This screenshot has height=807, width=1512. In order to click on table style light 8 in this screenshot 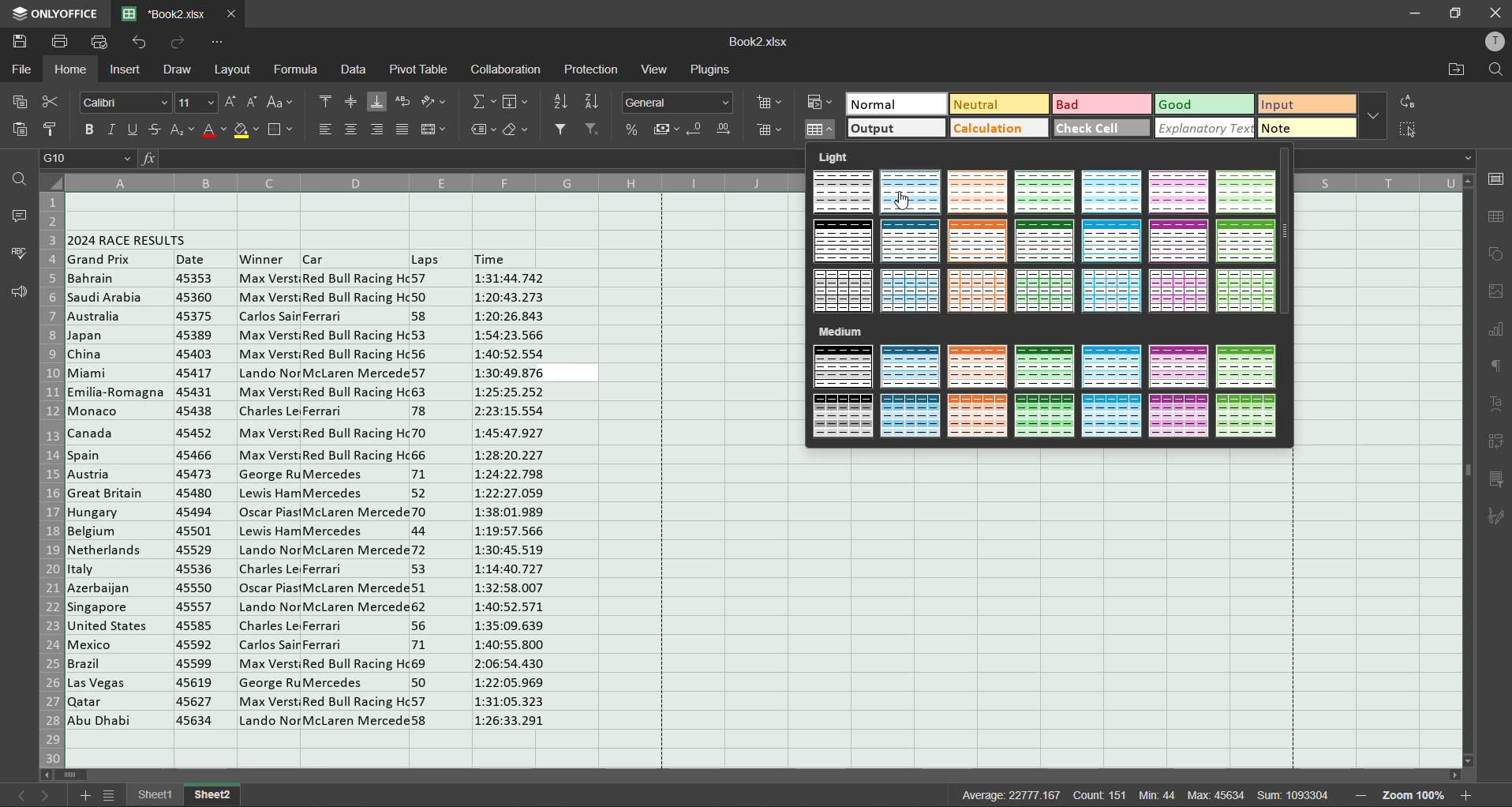, I will do `click(846, 242)`.